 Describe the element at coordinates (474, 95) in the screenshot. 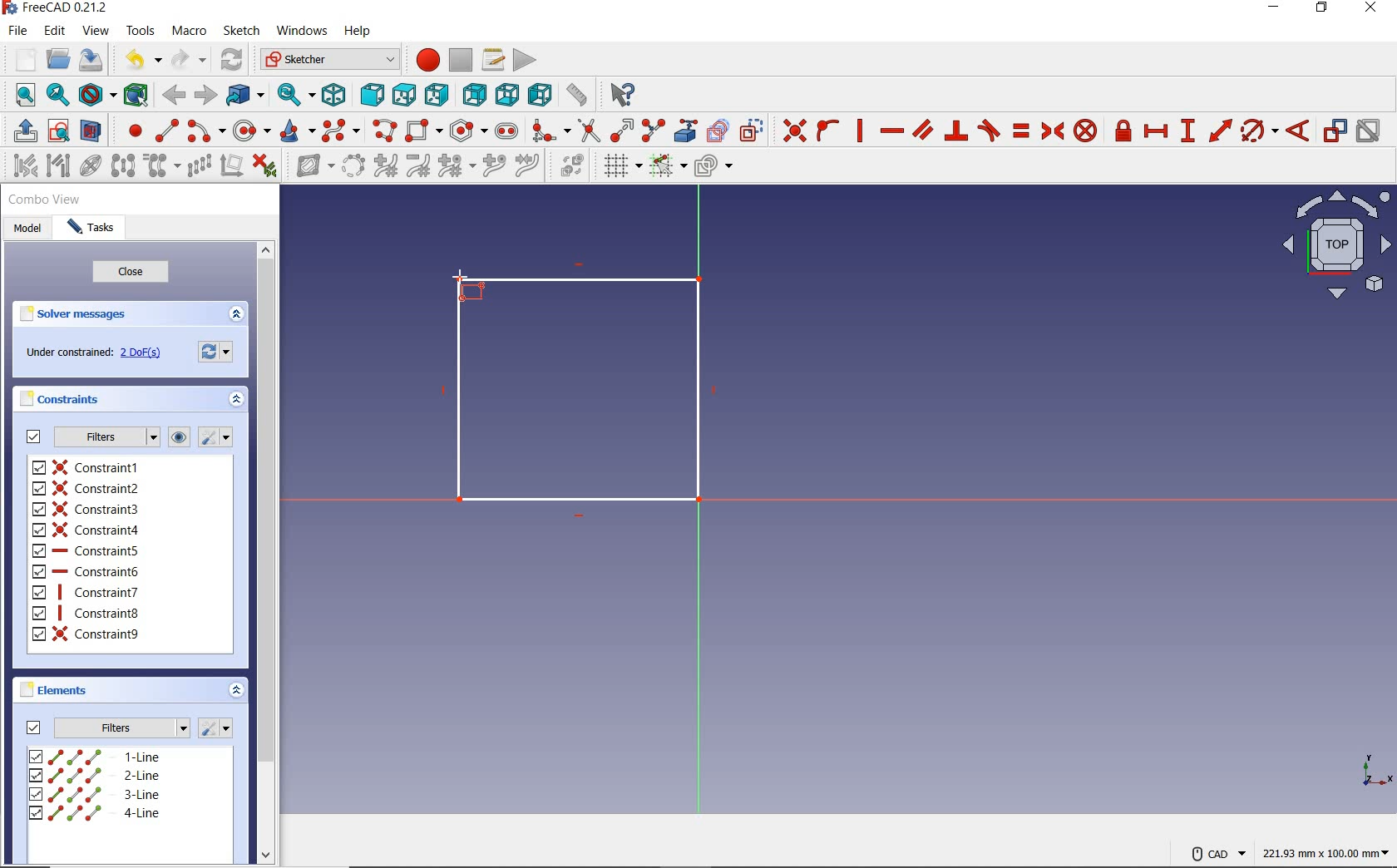

I see `rear` at that location.